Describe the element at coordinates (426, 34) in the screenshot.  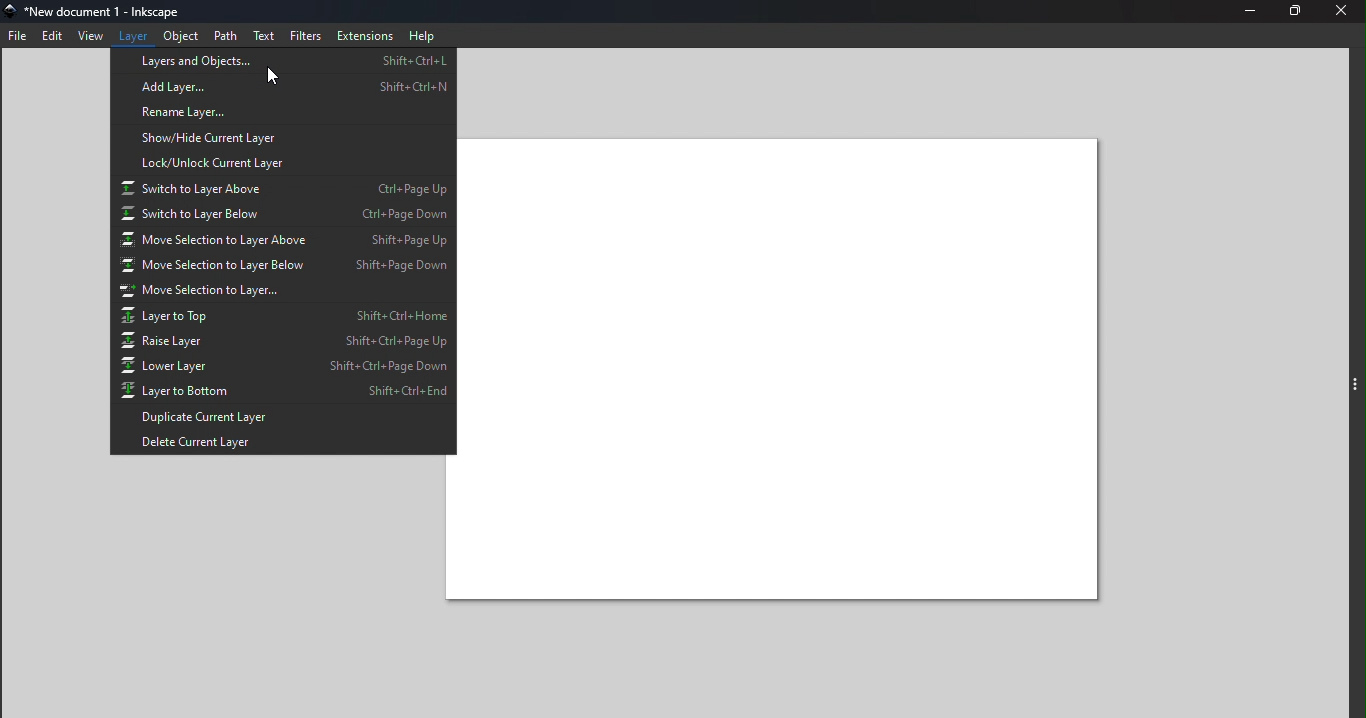
I see `Help` at that location.